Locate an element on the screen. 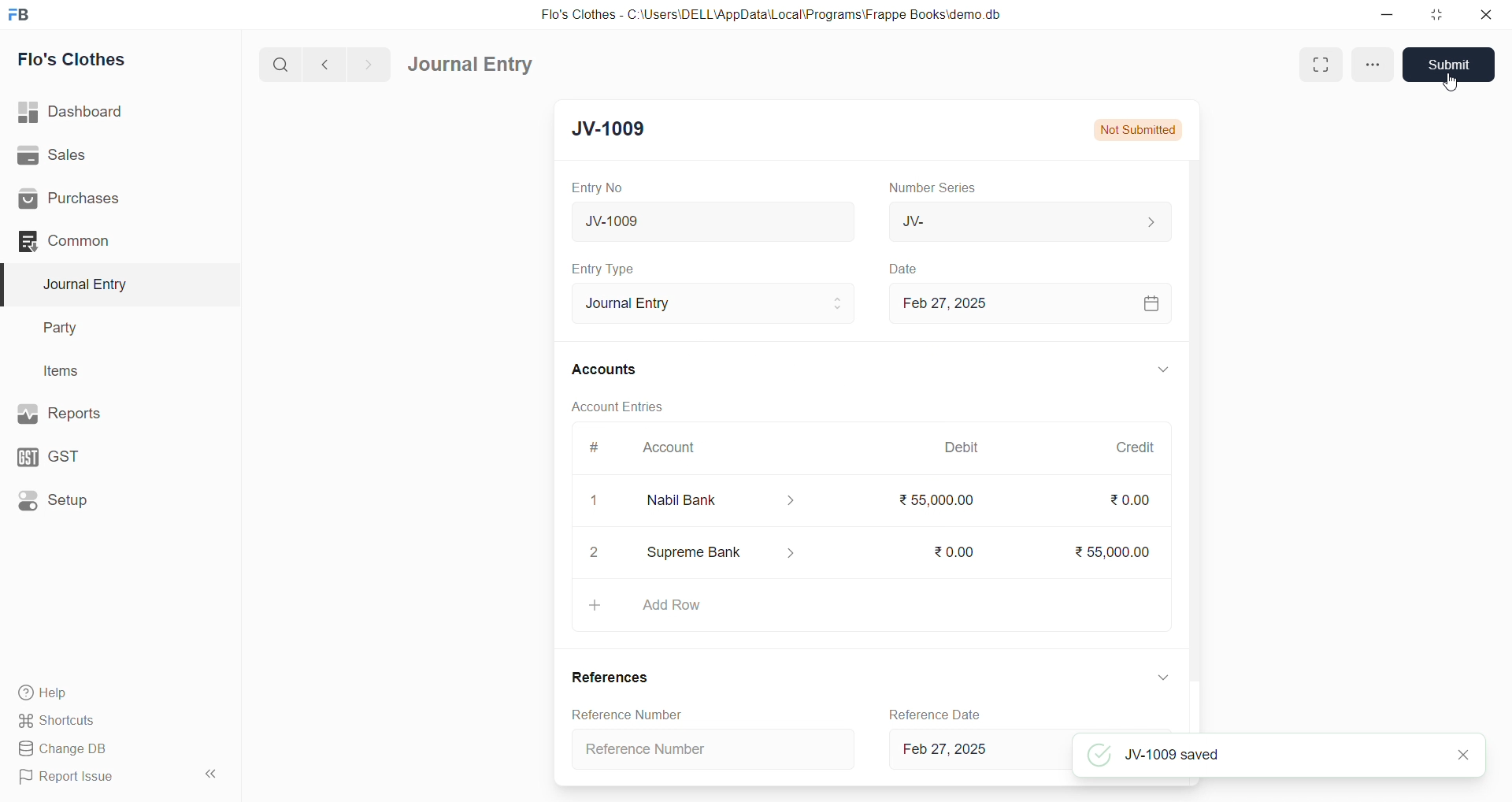 This screenshot has width=1512, height=802. more options is located at coordinates (1369, 64).